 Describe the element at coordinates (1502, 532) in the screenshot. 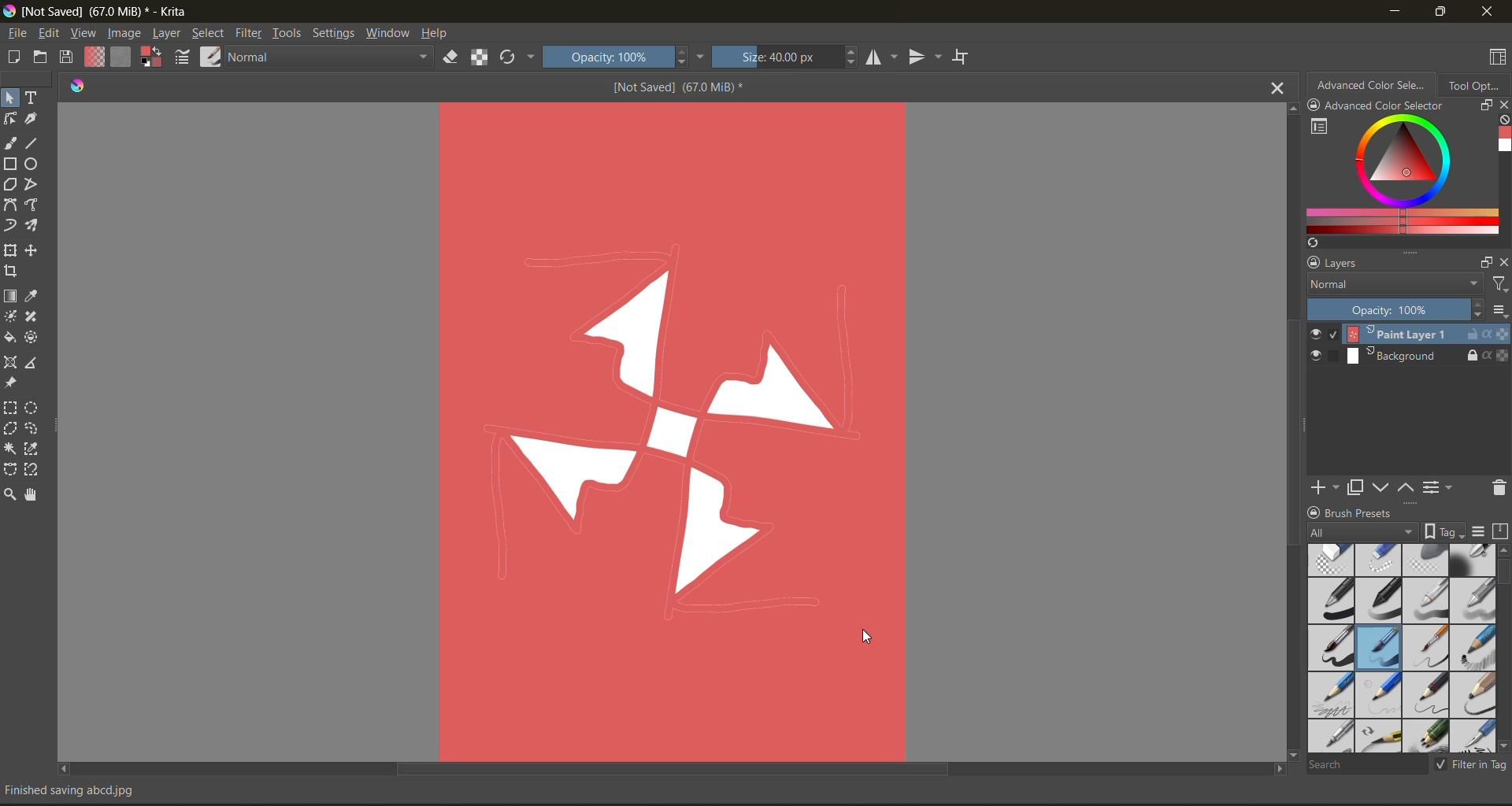

I see `storage resources` at that location.